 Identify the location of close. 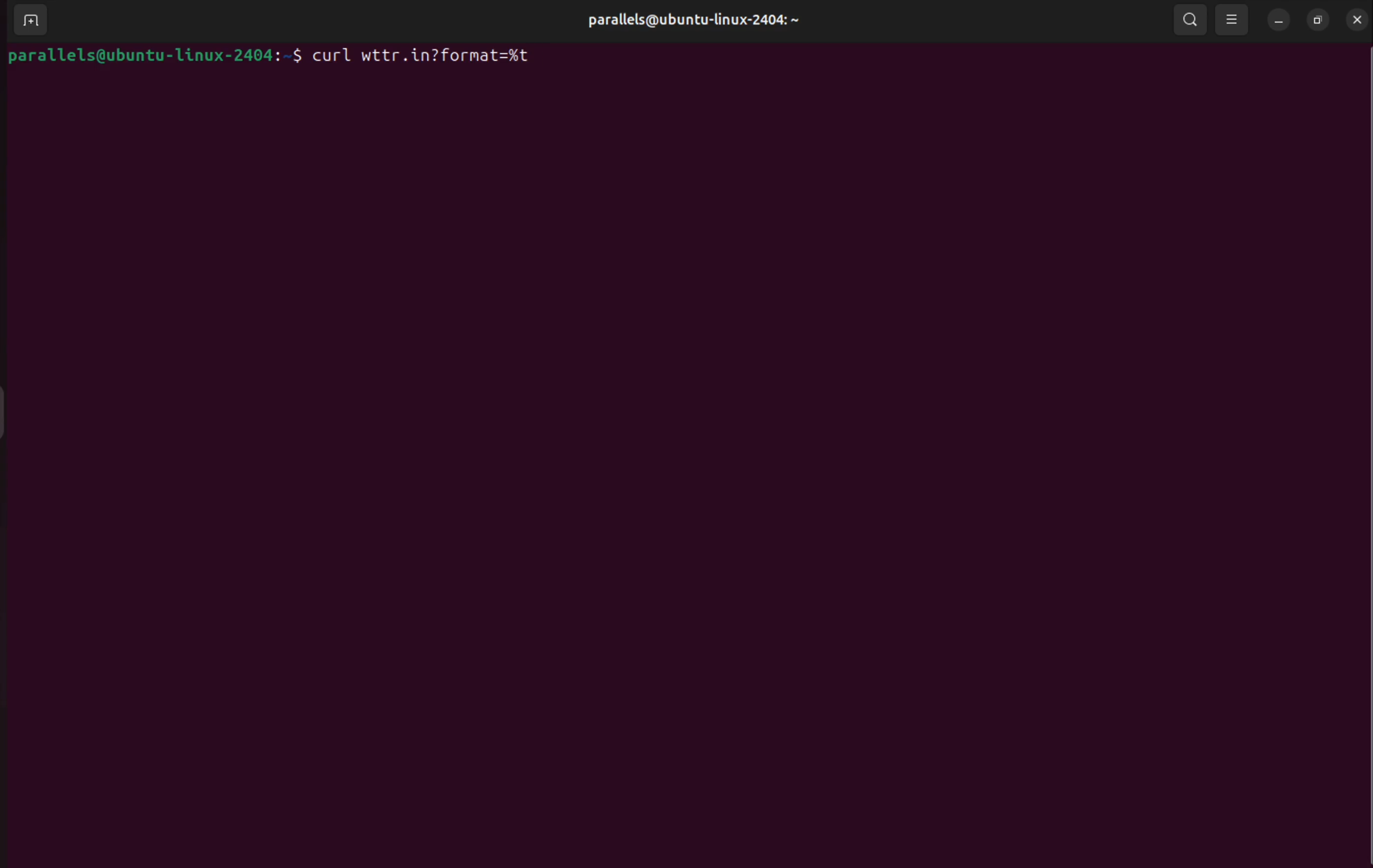
(1357, 19).